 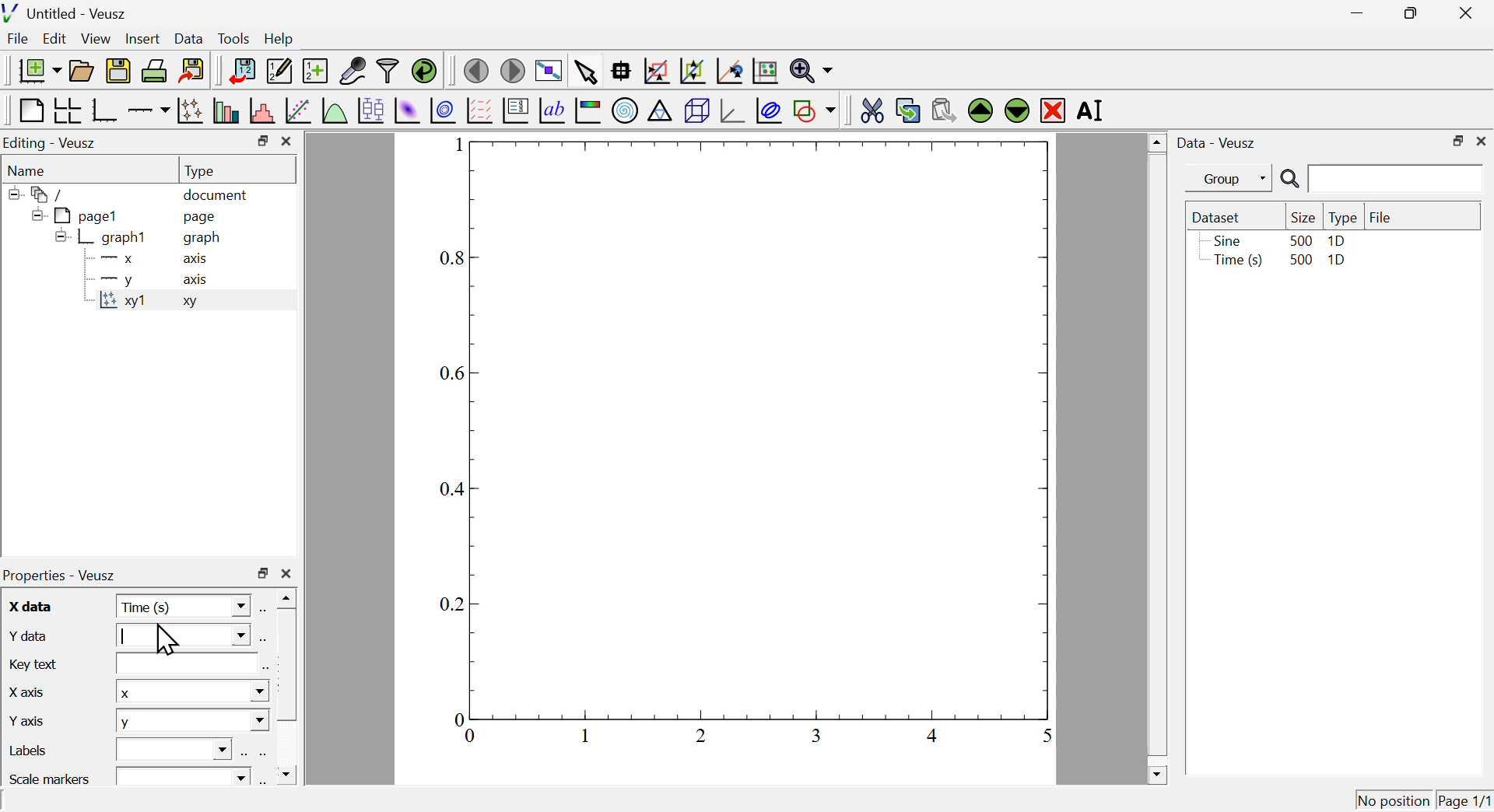 What do you see at coordinates (192, 51) in the screenshot?
I see `cursor` at bounding box center [192, 51].